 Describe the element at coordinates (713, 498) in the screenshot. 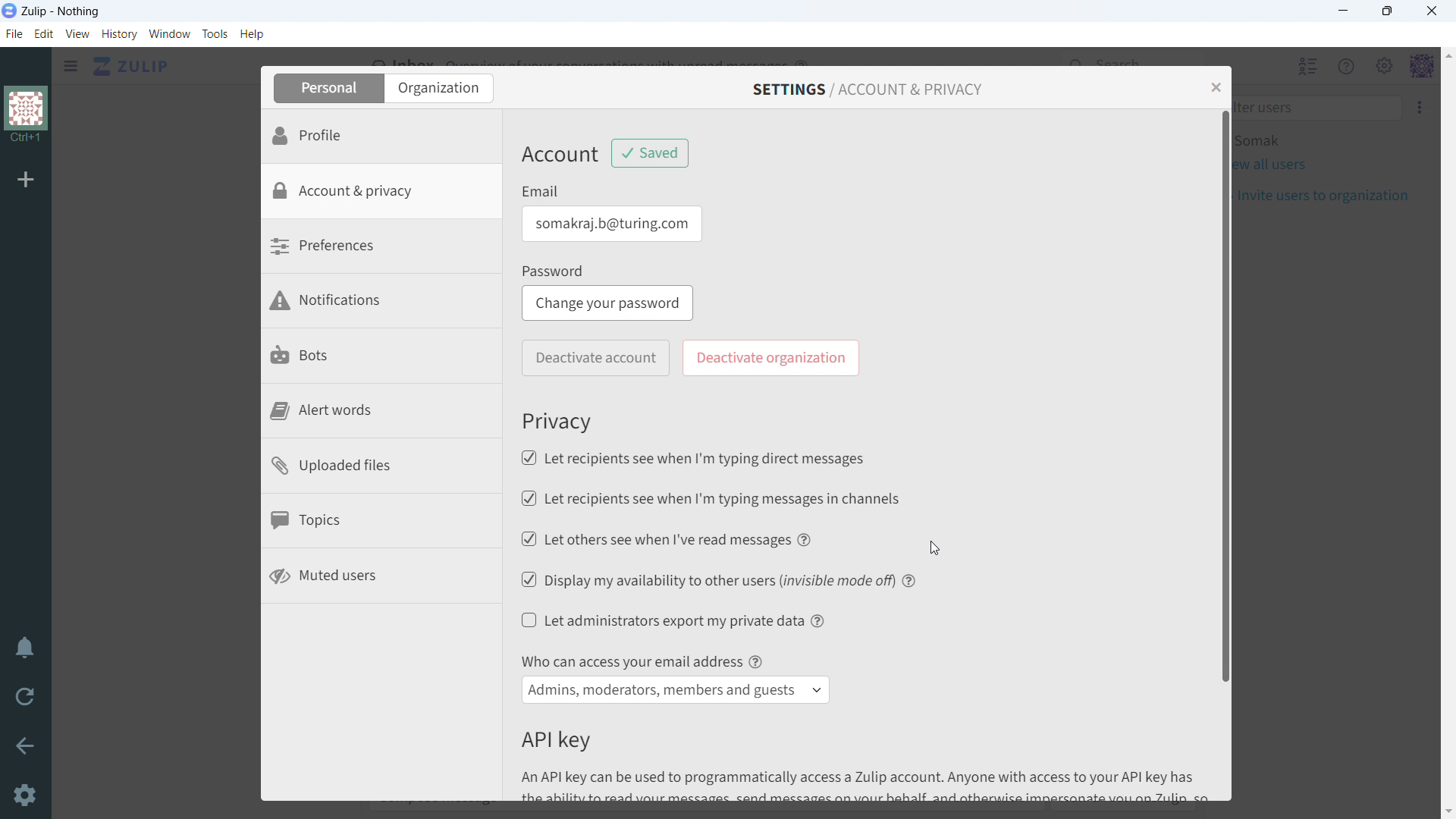

I see `let recipents see when i'm typing messages in channels` at that location.